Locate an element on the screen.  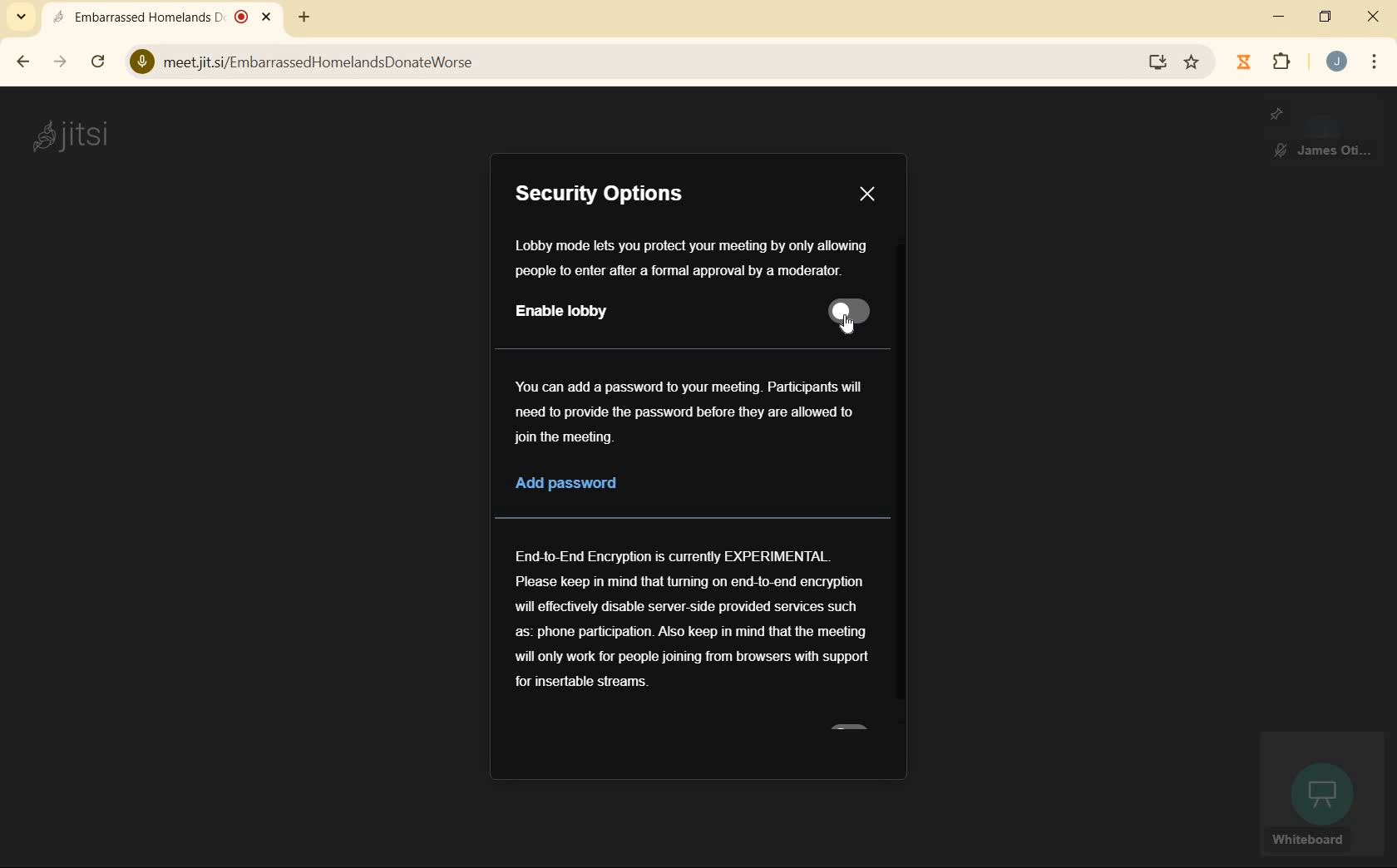
scrollbar is located at coordinates (900, 479).